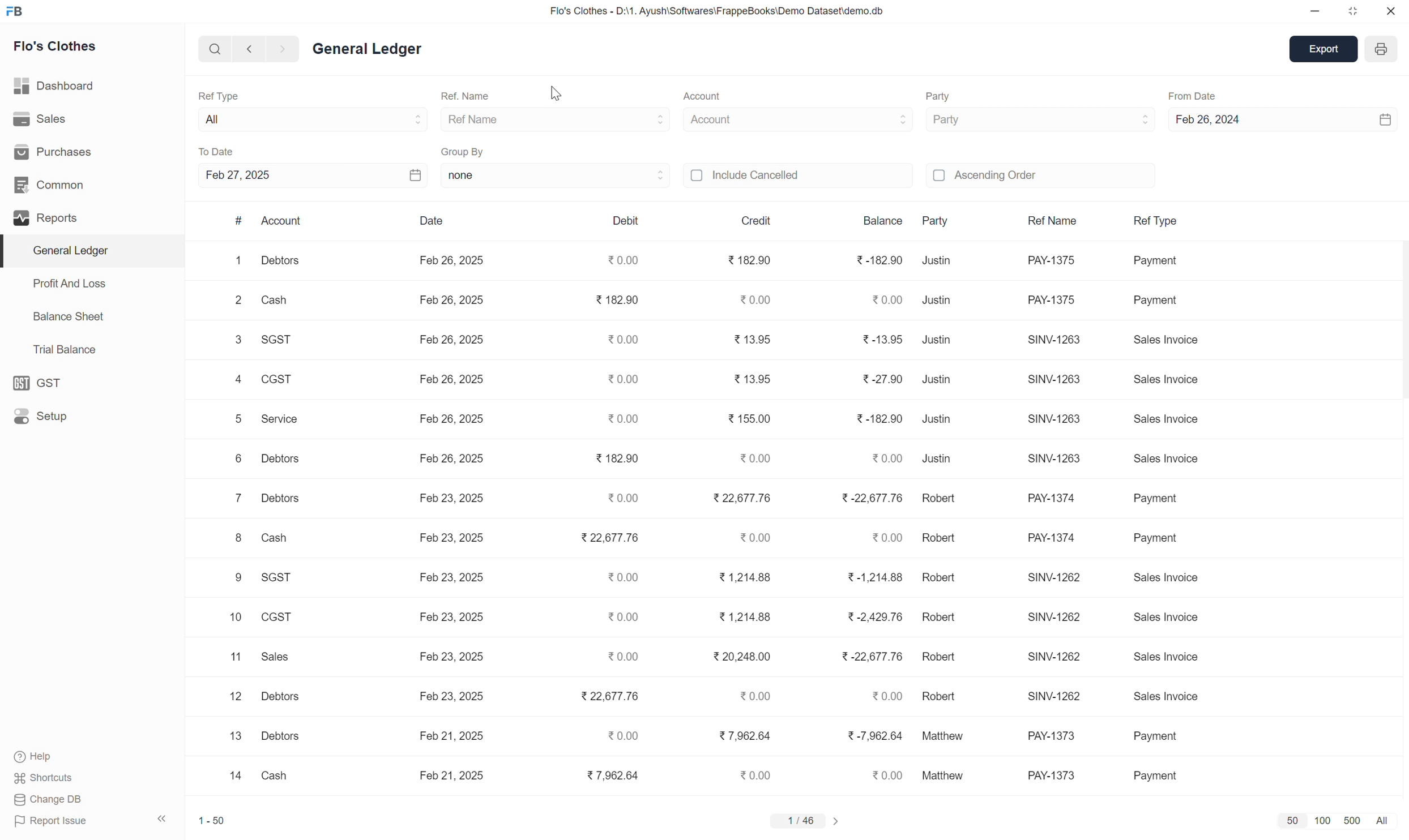 The image size is (1409, 840). I want to click on #, so click(237, 221).